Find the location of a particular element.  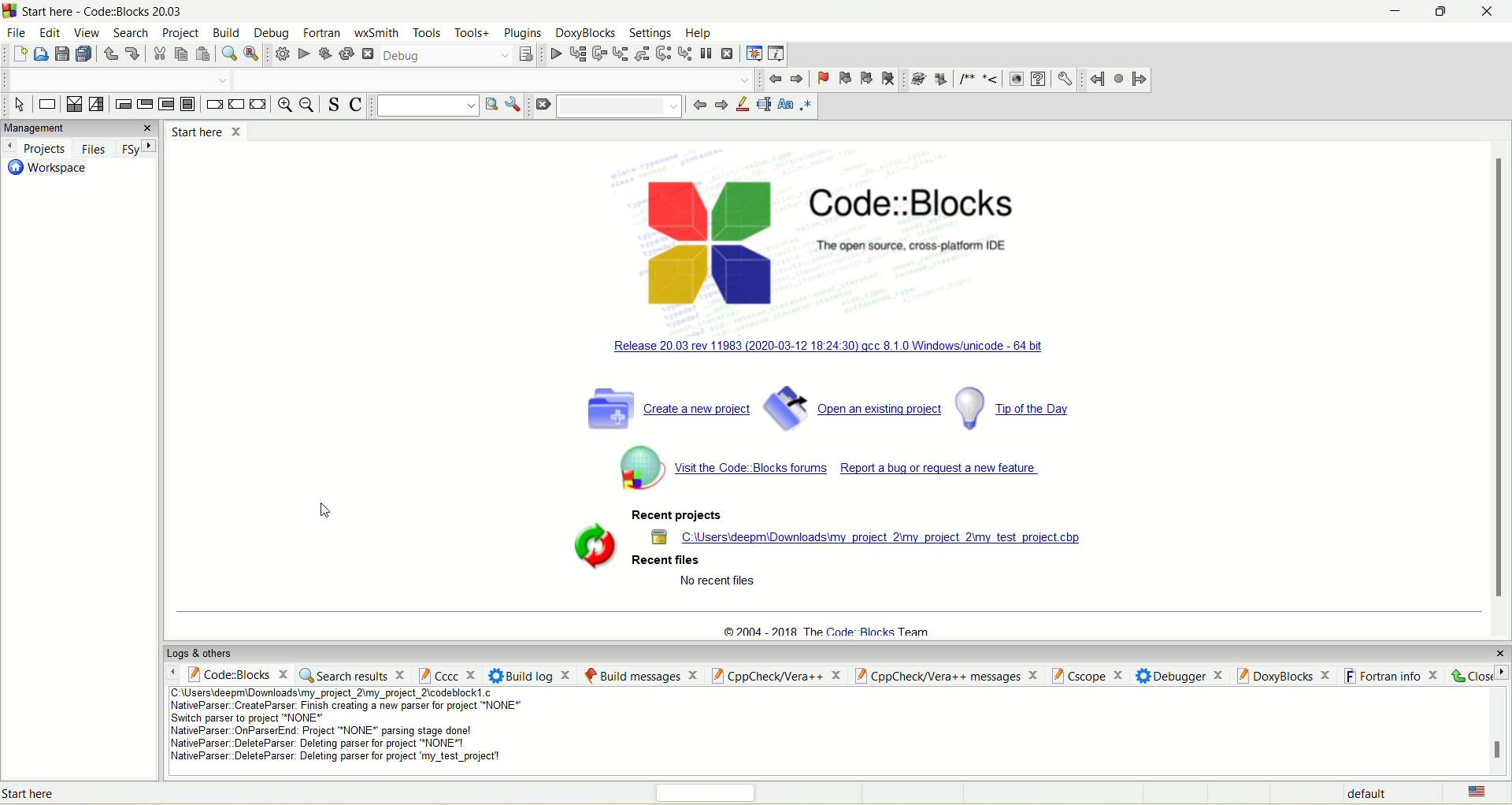

blank space is located at coordinates (498, 79).